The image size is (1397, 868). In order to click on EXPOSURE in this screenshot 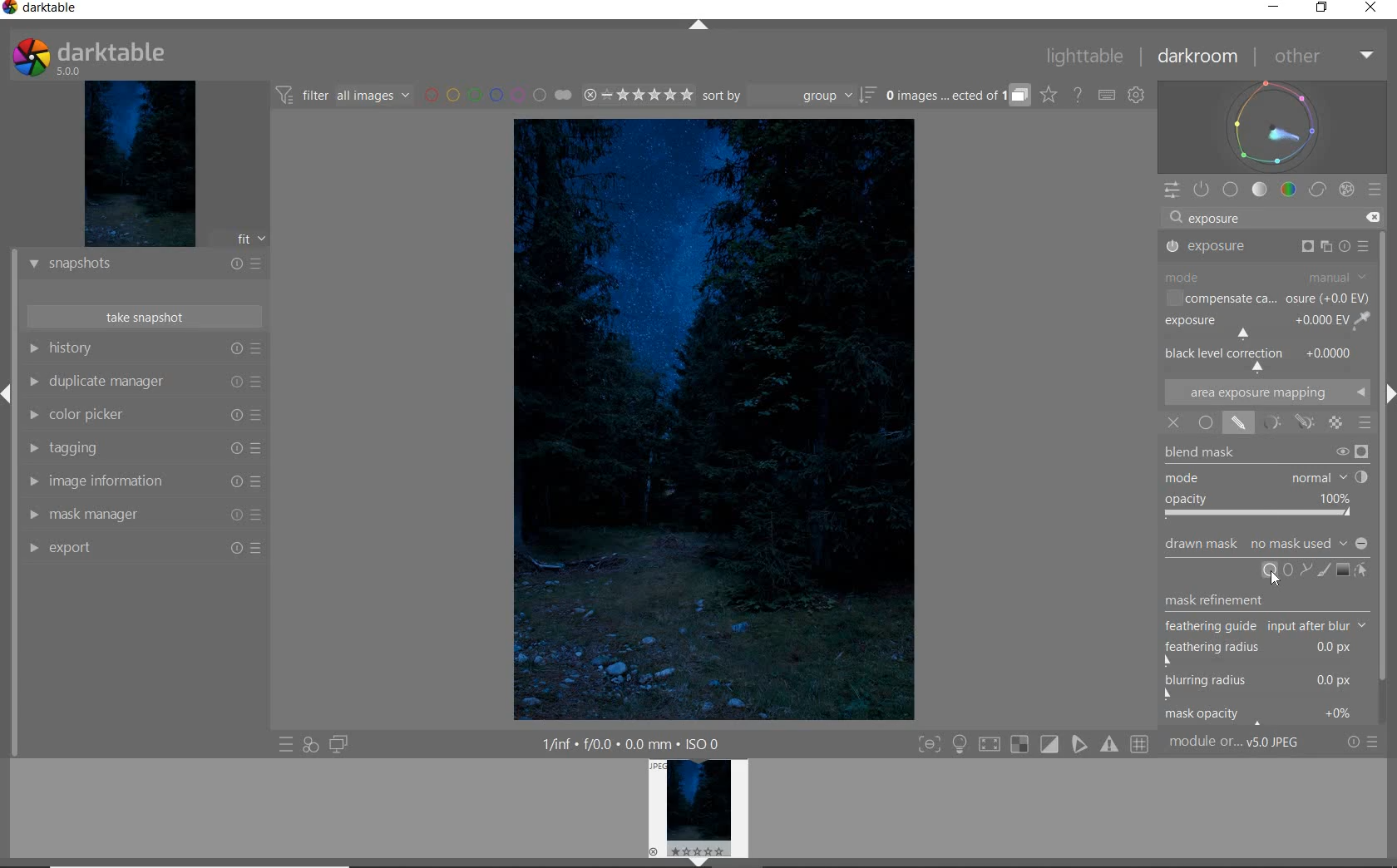, I will do `click(1267, 325)`.